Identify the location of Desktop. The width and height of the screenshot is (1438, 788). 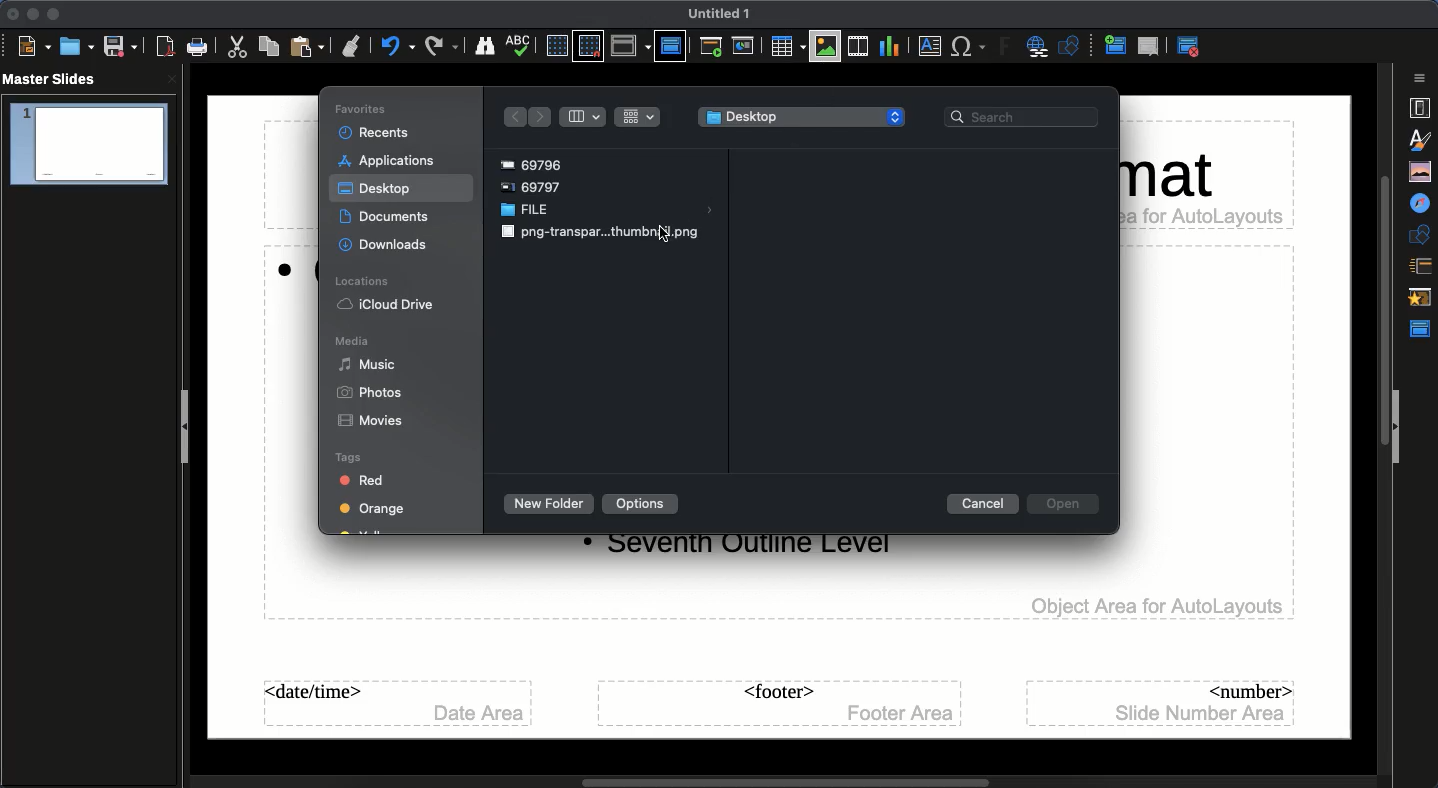
(803, 117).